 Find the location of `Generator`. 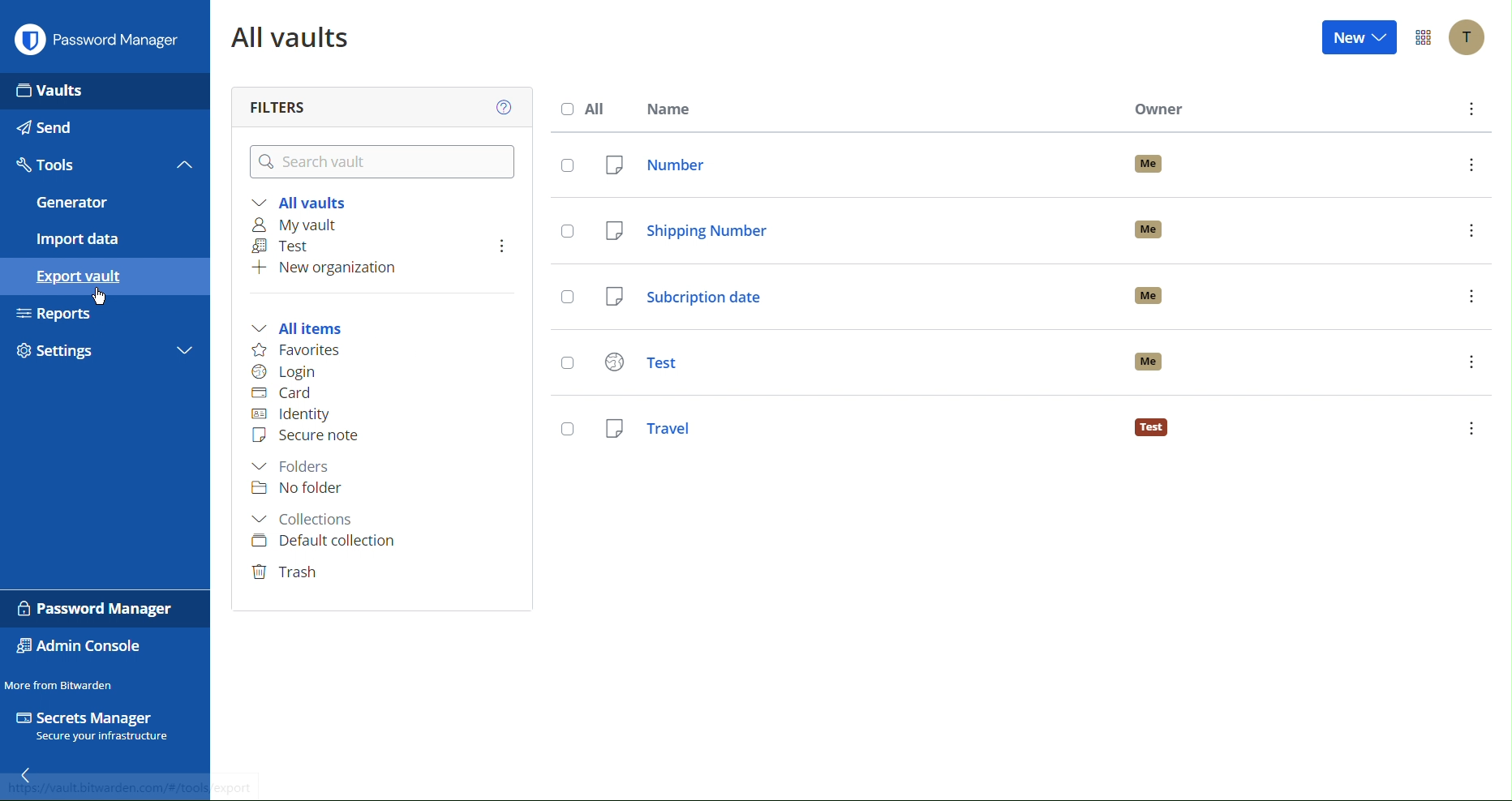

Generator is located at coordinates (73, 203).